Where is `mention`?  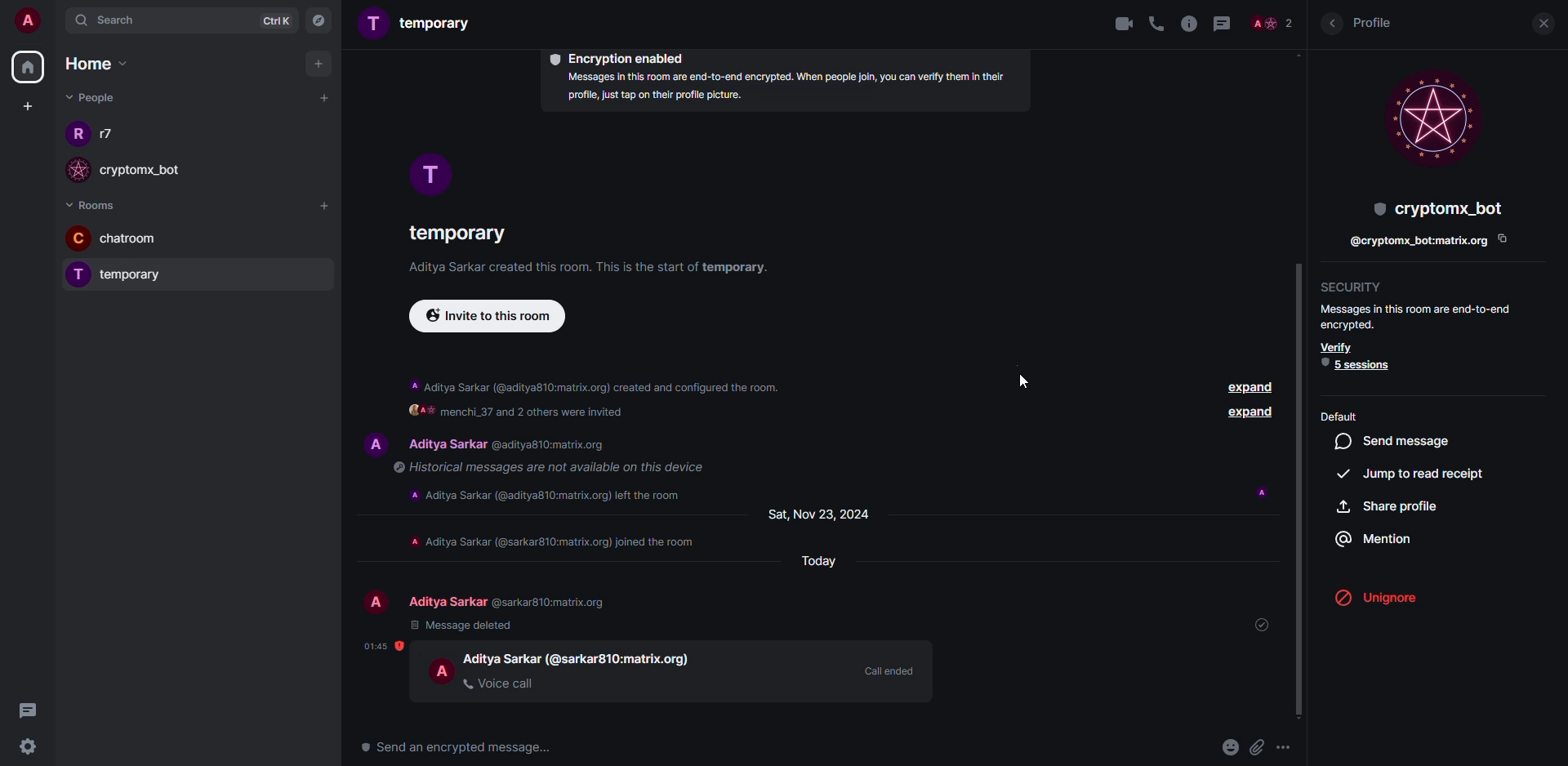
mention is located at coordinates (1377, 537).